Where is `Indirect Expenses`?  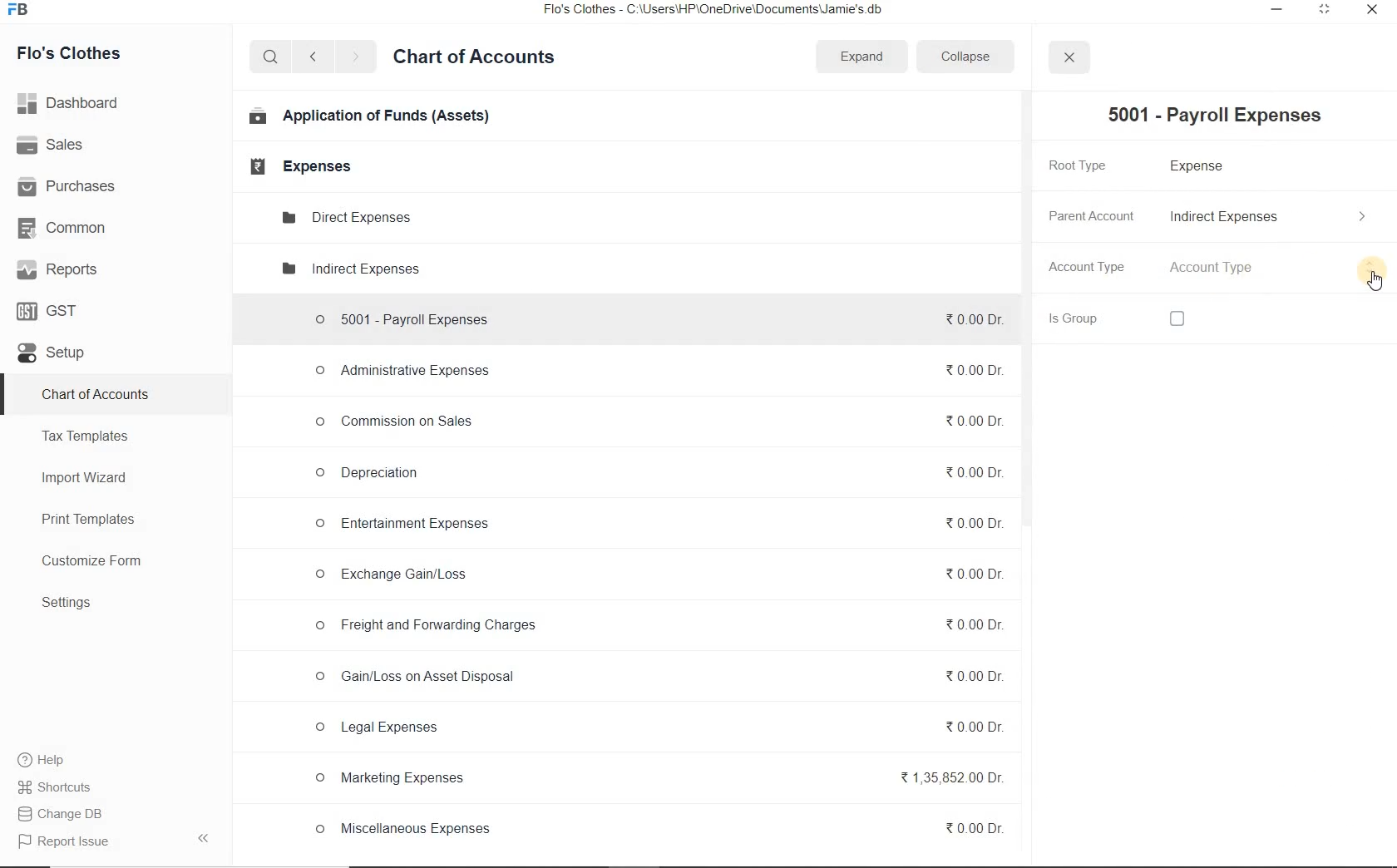
Indirect Expenses is located at coordinates (1271, 217).